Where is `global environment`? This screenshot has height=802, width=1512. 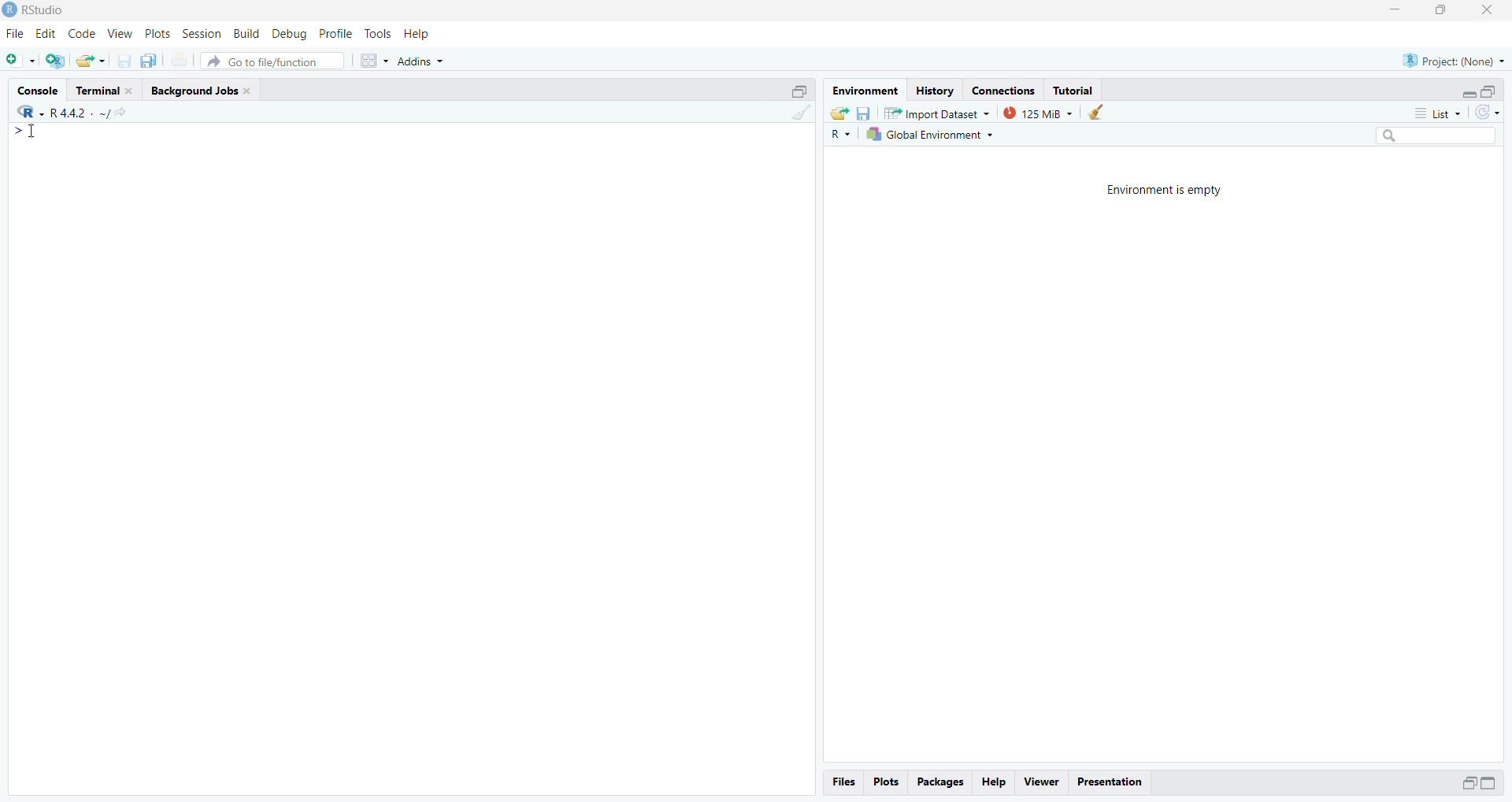 global environment is located at coordinates (927, 135).